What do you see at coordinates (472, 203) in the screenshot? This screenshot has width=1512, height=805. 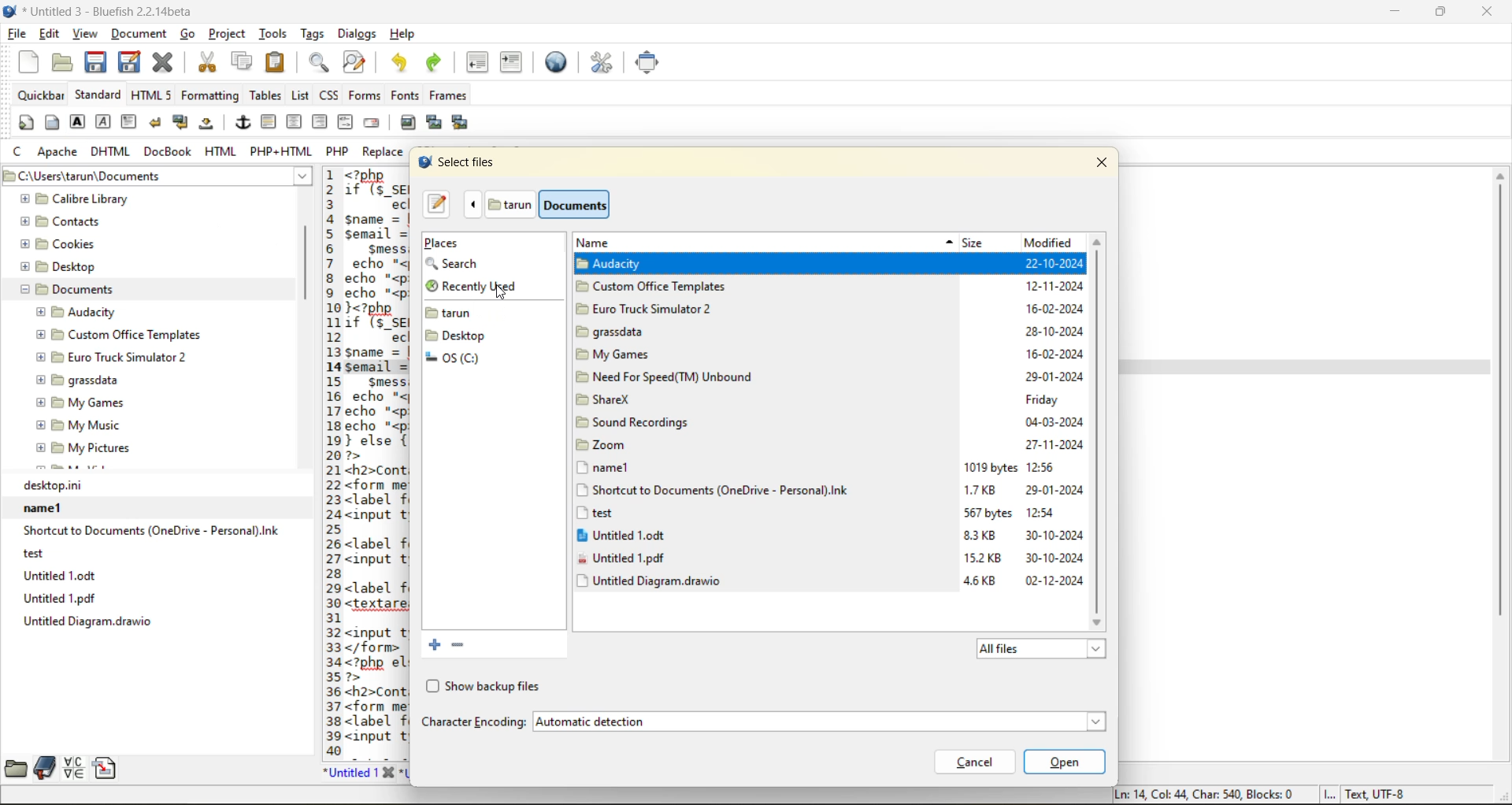 I see `previous folder` at bounding box center [472, 203].